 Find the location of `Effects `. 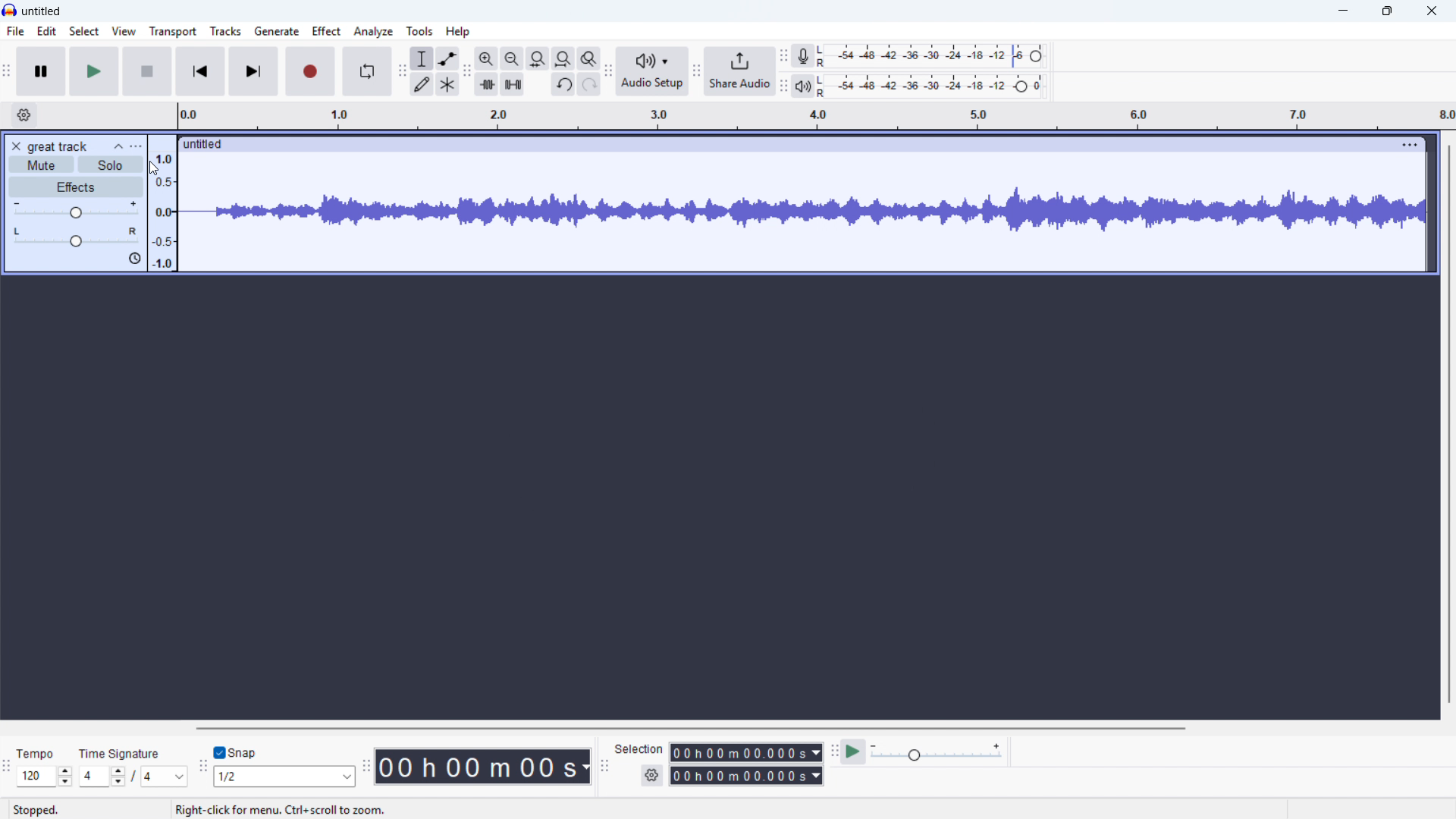

Effects  is located at coordinates (76, 187).